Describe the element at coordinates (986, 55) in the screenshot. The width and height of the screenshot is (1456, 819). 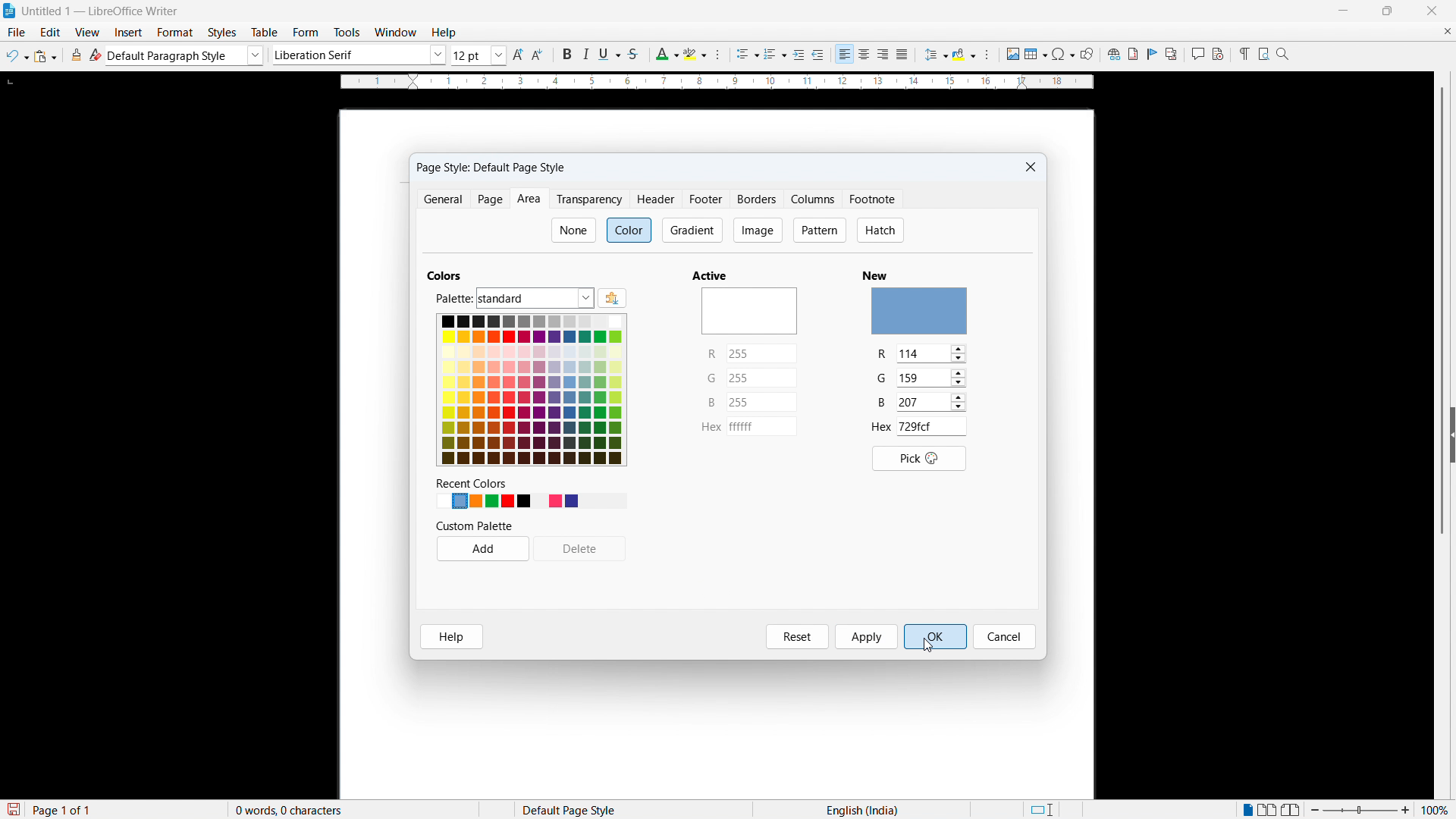
I see `Paragraph ` at that location.